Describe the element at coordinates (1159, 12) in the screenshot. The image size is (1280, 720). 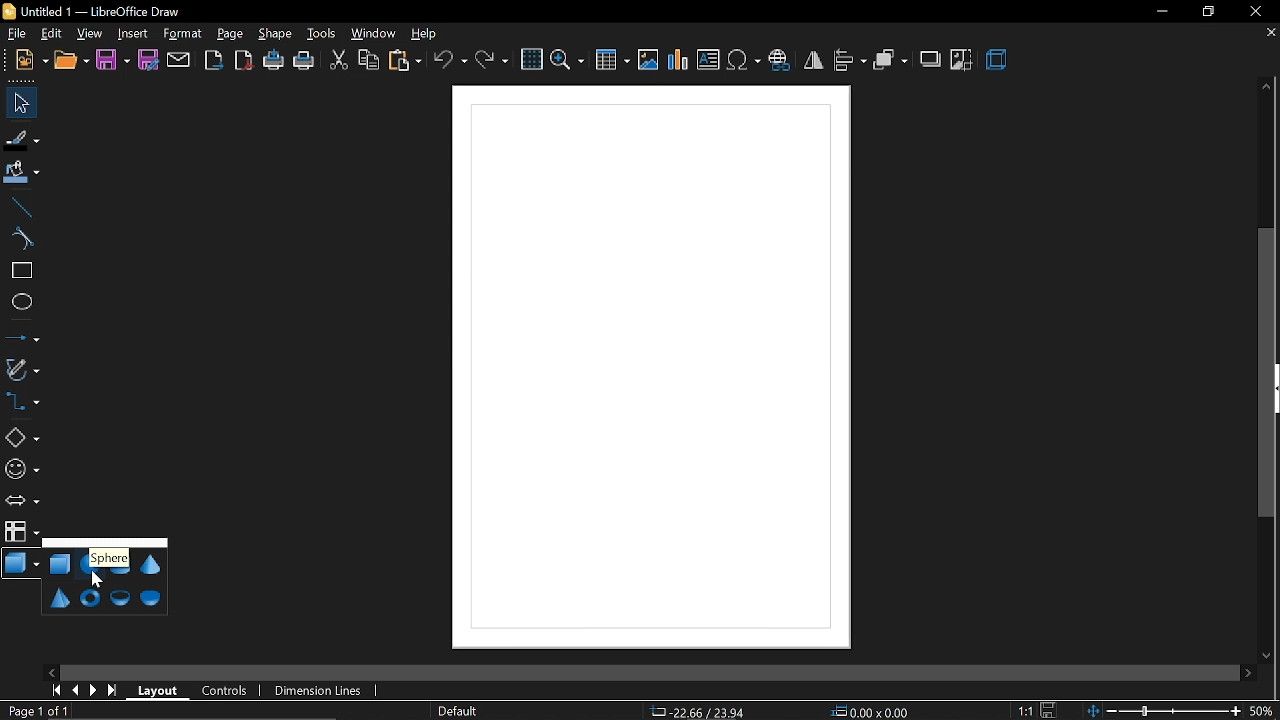
I see `minimize` at that location.